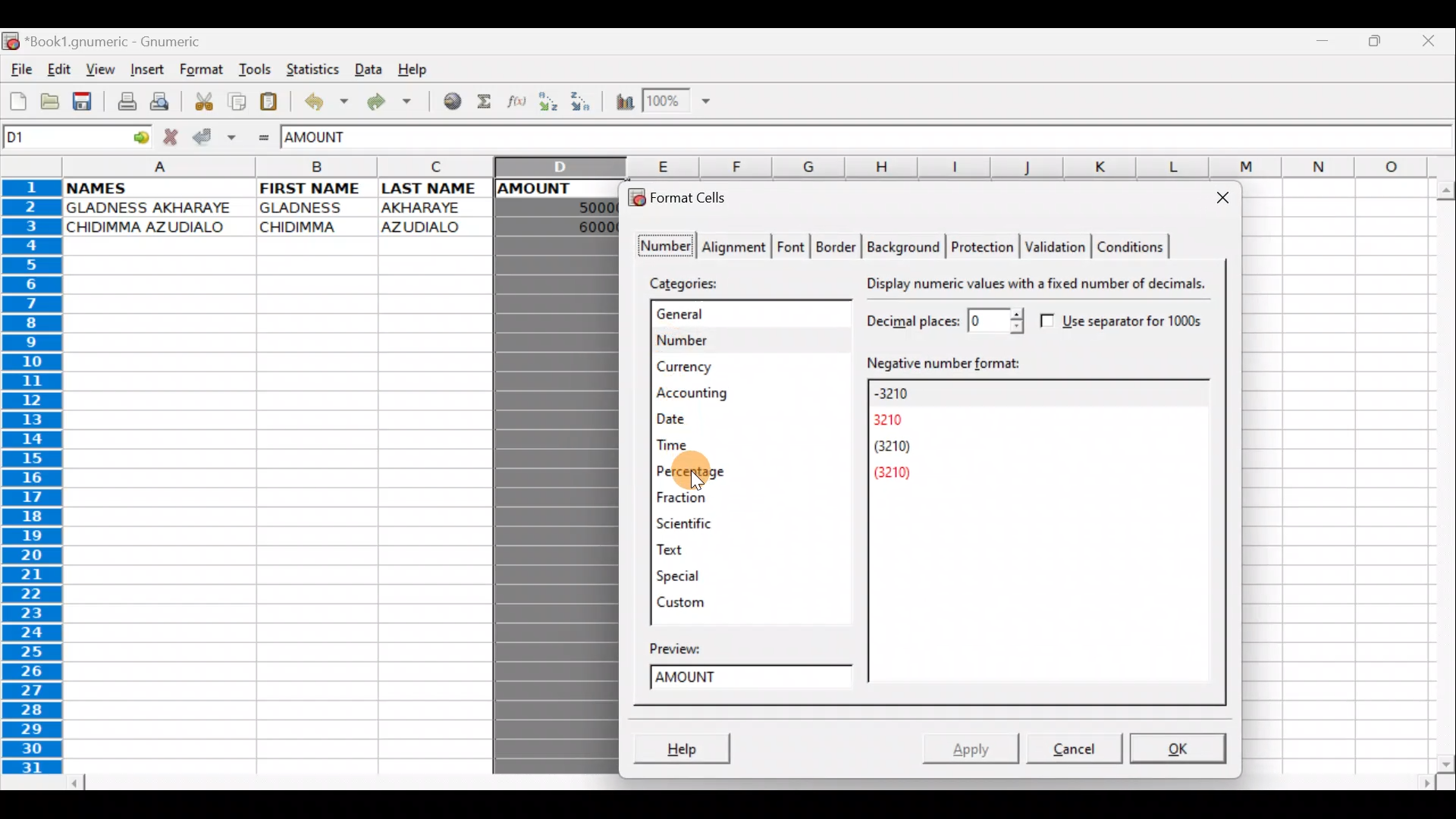  Describe the element at coordinates (905, 474) in the screenshot. I see `(3210)` at that location.